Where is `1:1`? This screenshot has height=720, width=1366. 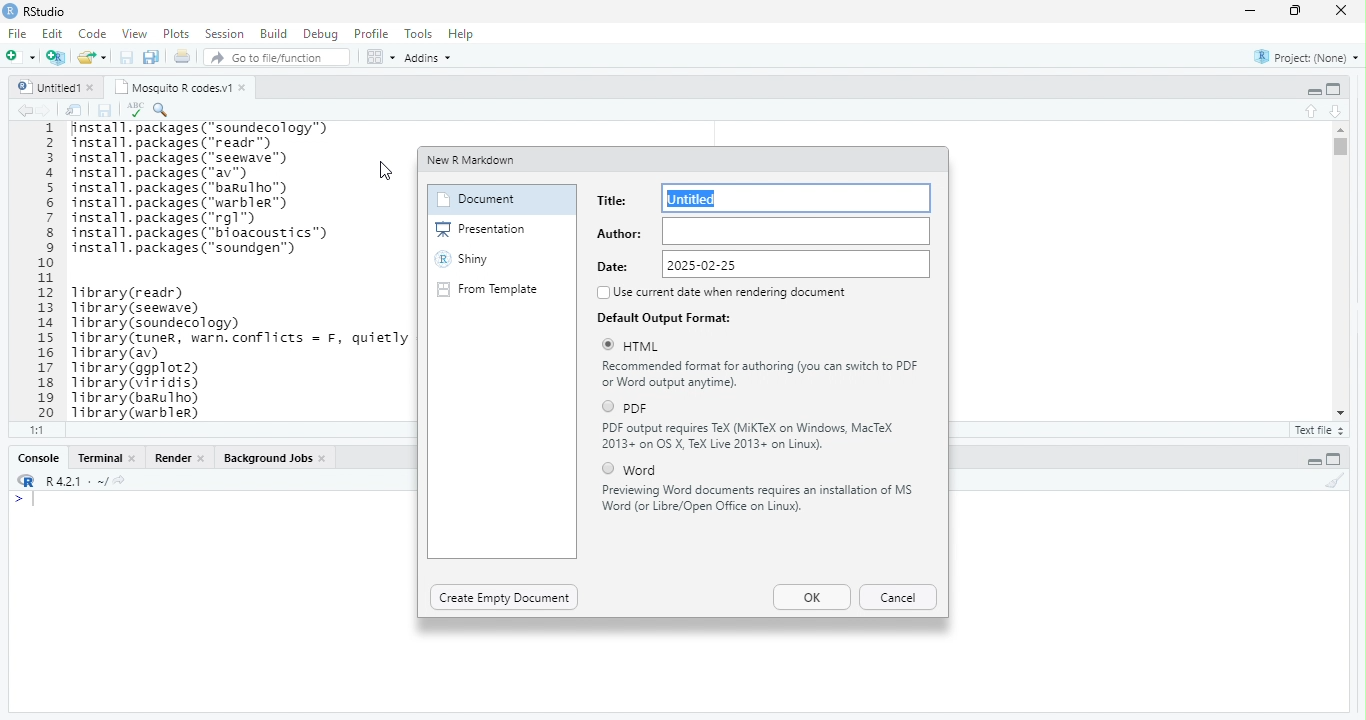 1:1 is located at coordinates (38, 429).